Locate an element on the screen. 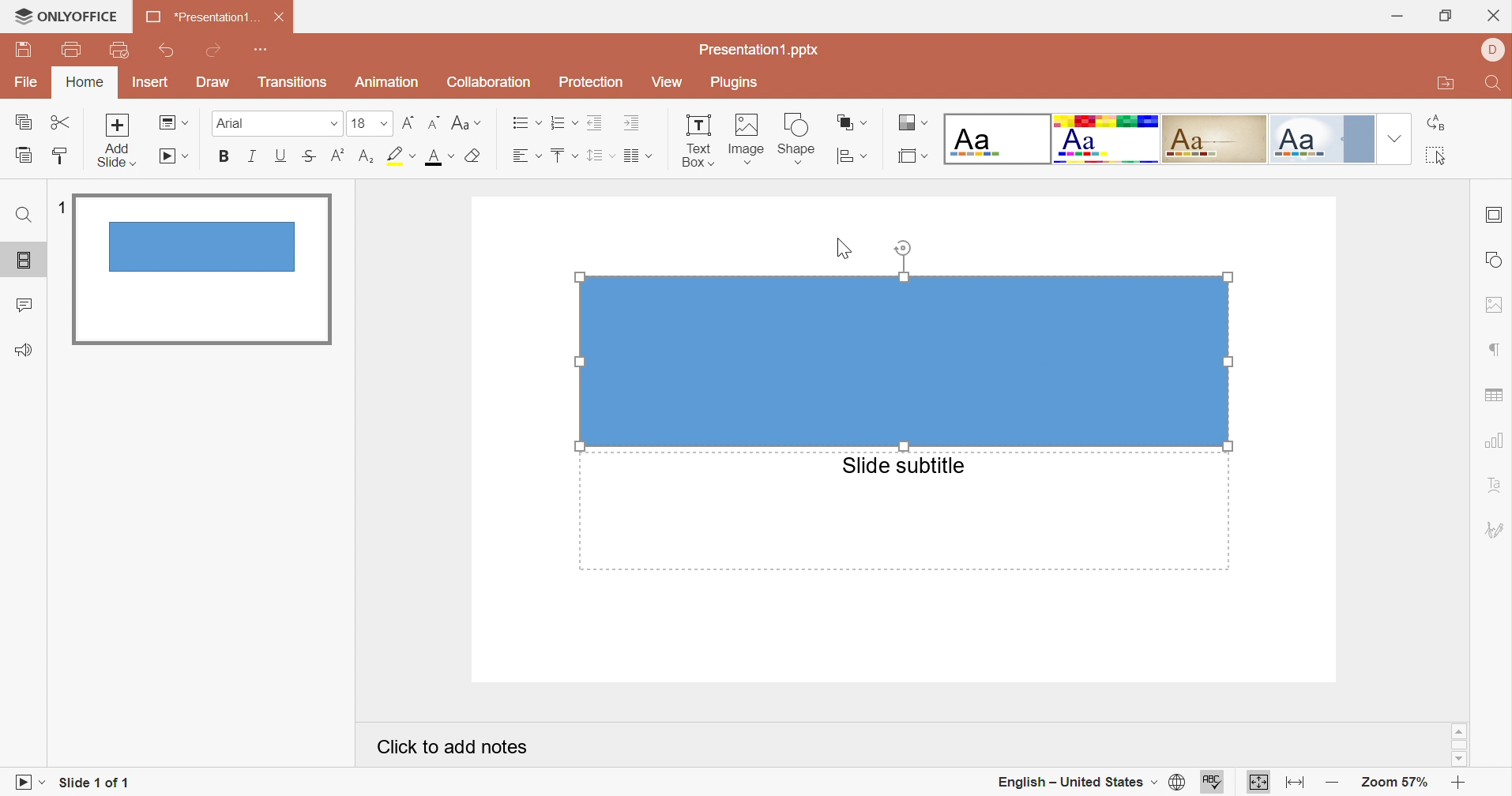 The width and height of the screenshot is (1512, 796). Fit to width is located at coordinates (1296, 784).